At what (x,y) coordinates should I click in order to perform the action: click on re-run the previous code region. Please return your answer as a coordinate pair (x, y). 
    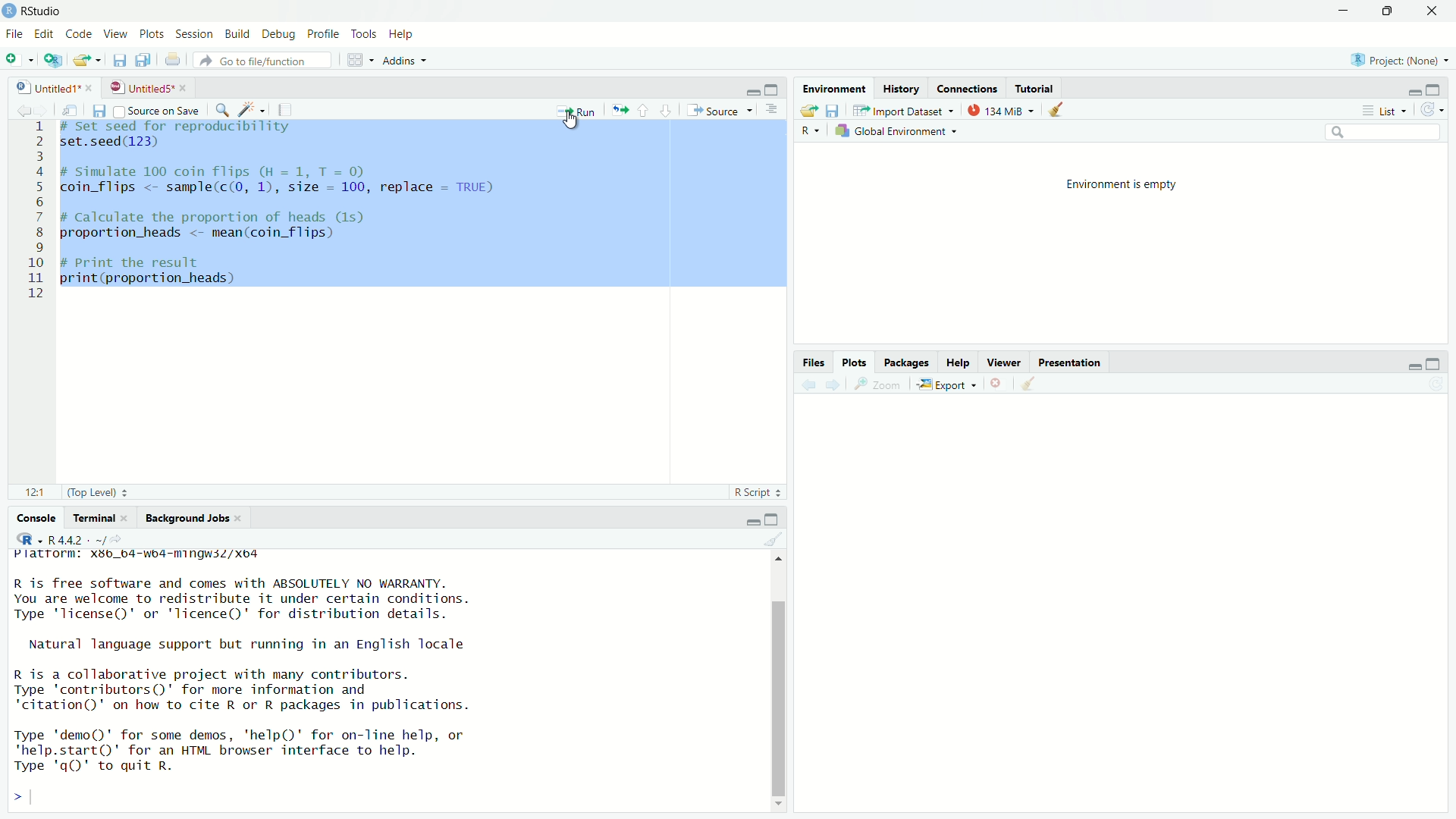
    Looking at the image, I should click on (619, 110).